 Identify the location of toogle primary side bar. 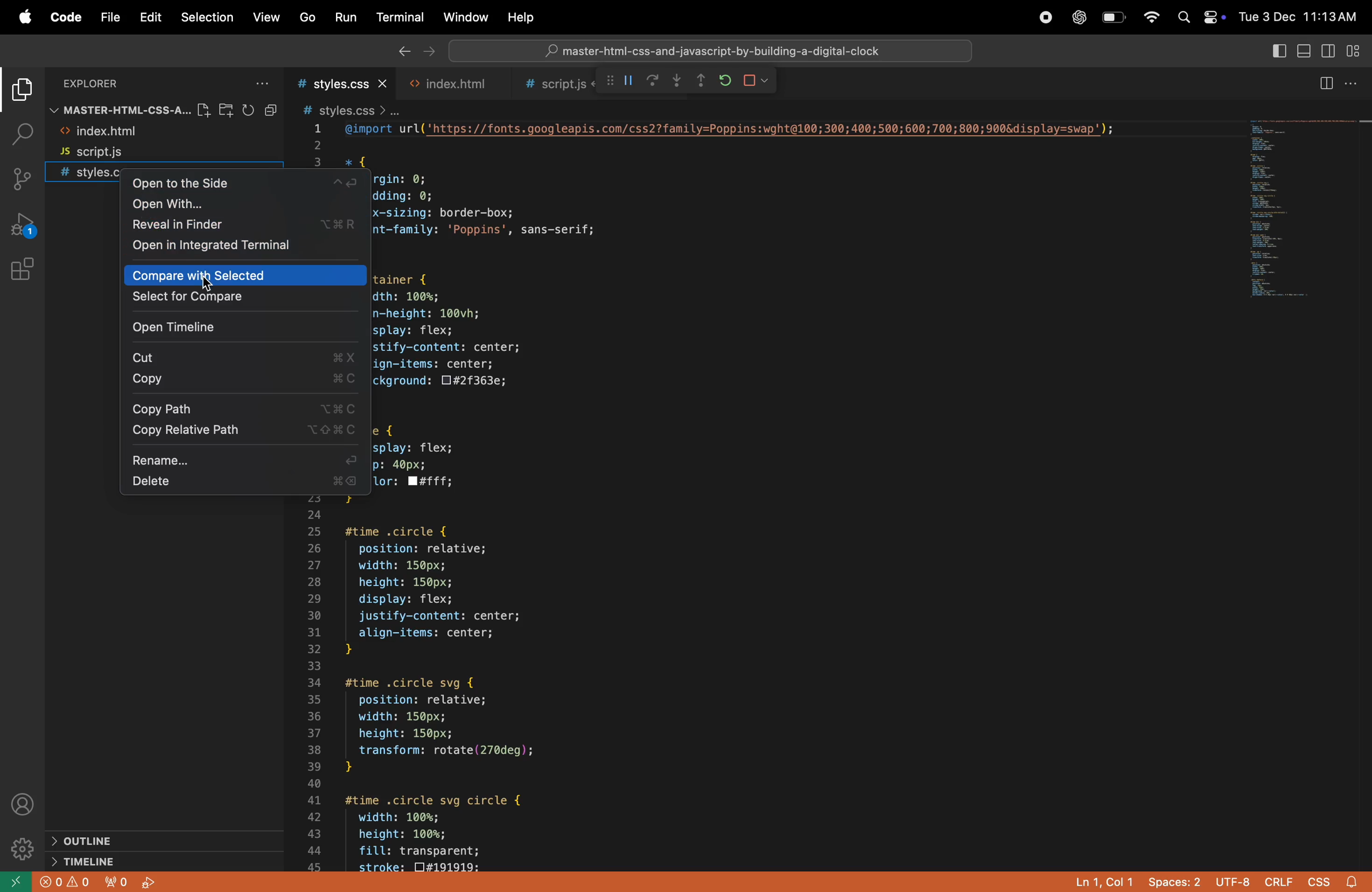
(1277, 52).